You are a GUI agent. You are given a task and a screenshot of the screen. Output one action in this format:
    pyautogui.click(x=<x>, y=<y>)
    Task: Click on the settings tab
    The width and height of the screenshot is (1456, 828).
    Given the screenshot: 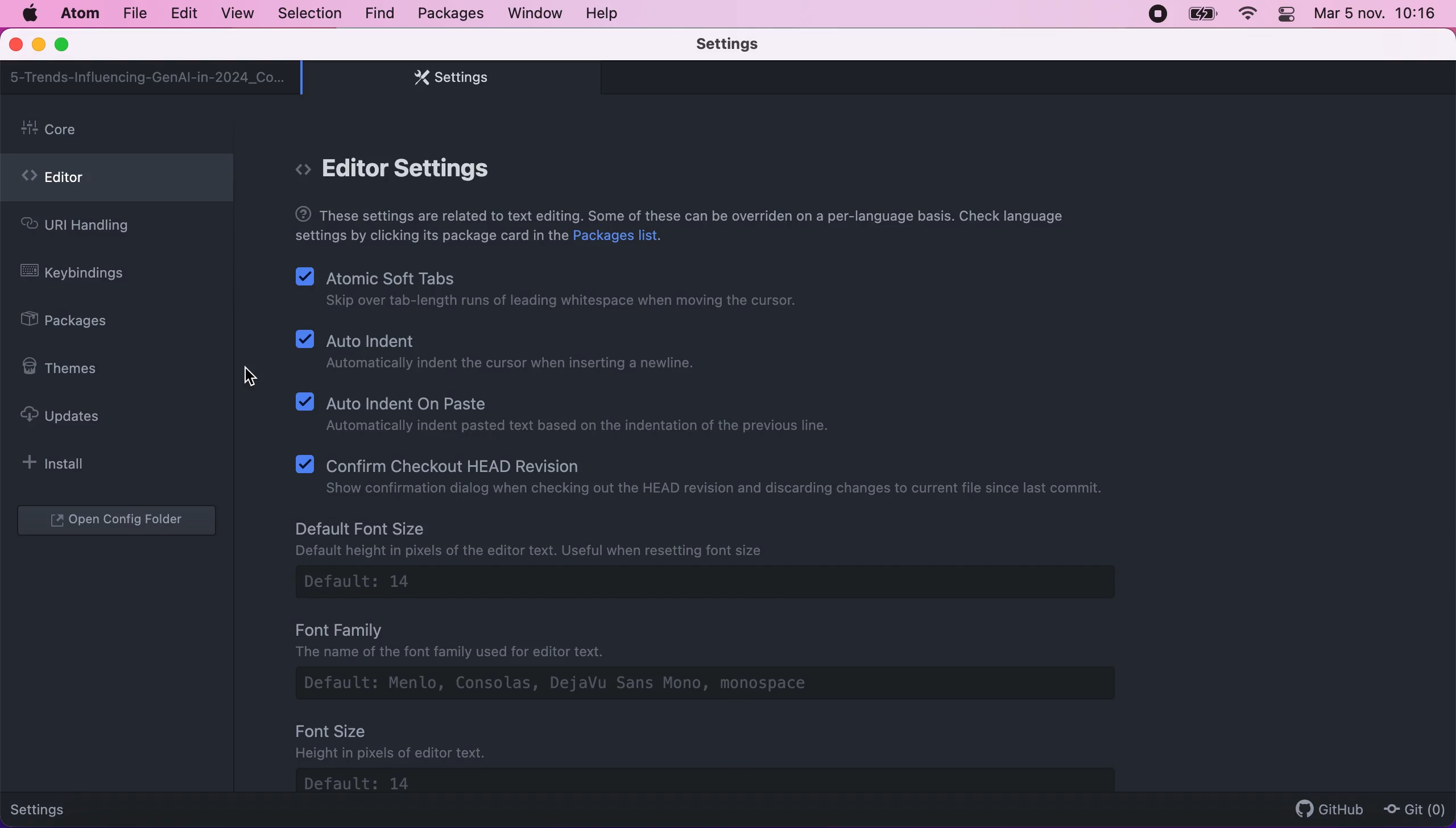 What is the action you would take?
    pyautogui.click(x=445, y=77)
    